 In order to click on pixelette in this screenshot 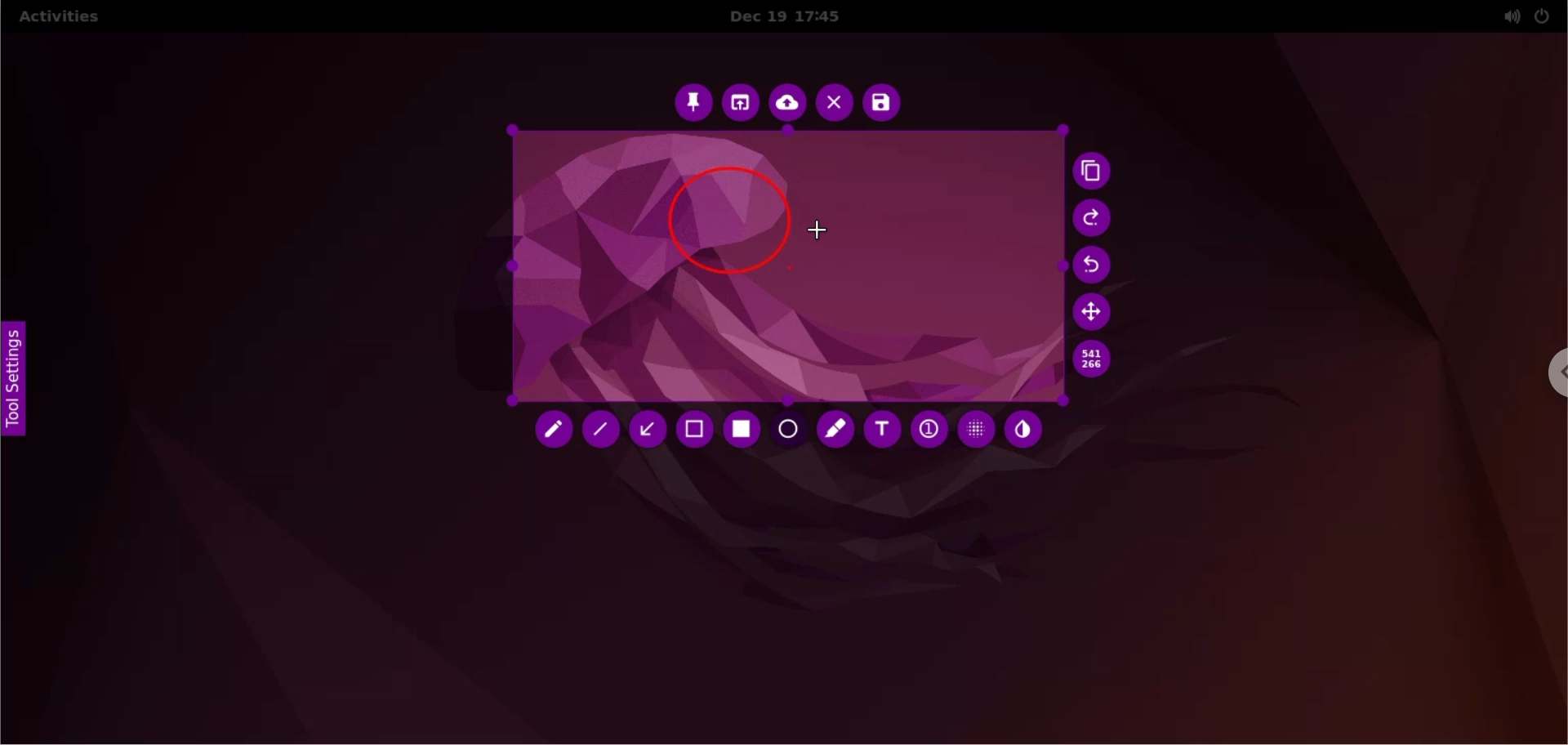, I will do `click(976, 428)`.